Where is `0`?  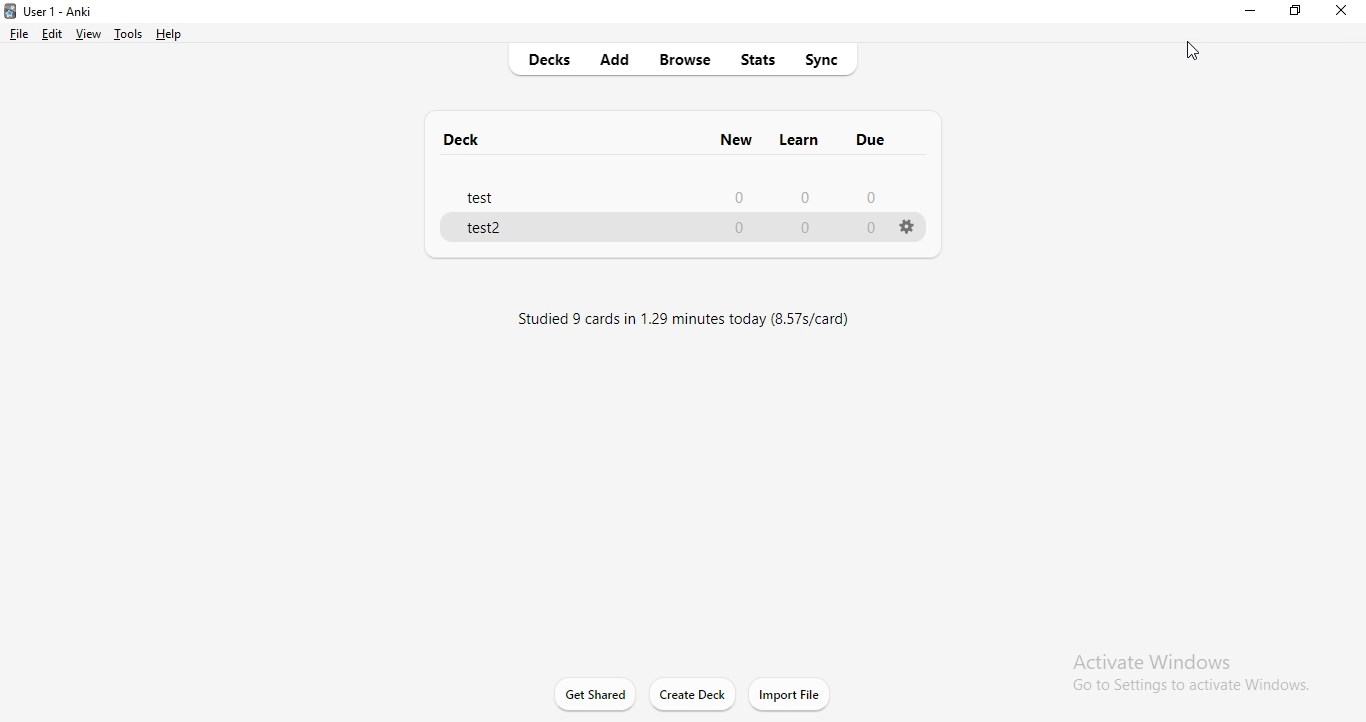 0 is located at coordinates (809, 229).